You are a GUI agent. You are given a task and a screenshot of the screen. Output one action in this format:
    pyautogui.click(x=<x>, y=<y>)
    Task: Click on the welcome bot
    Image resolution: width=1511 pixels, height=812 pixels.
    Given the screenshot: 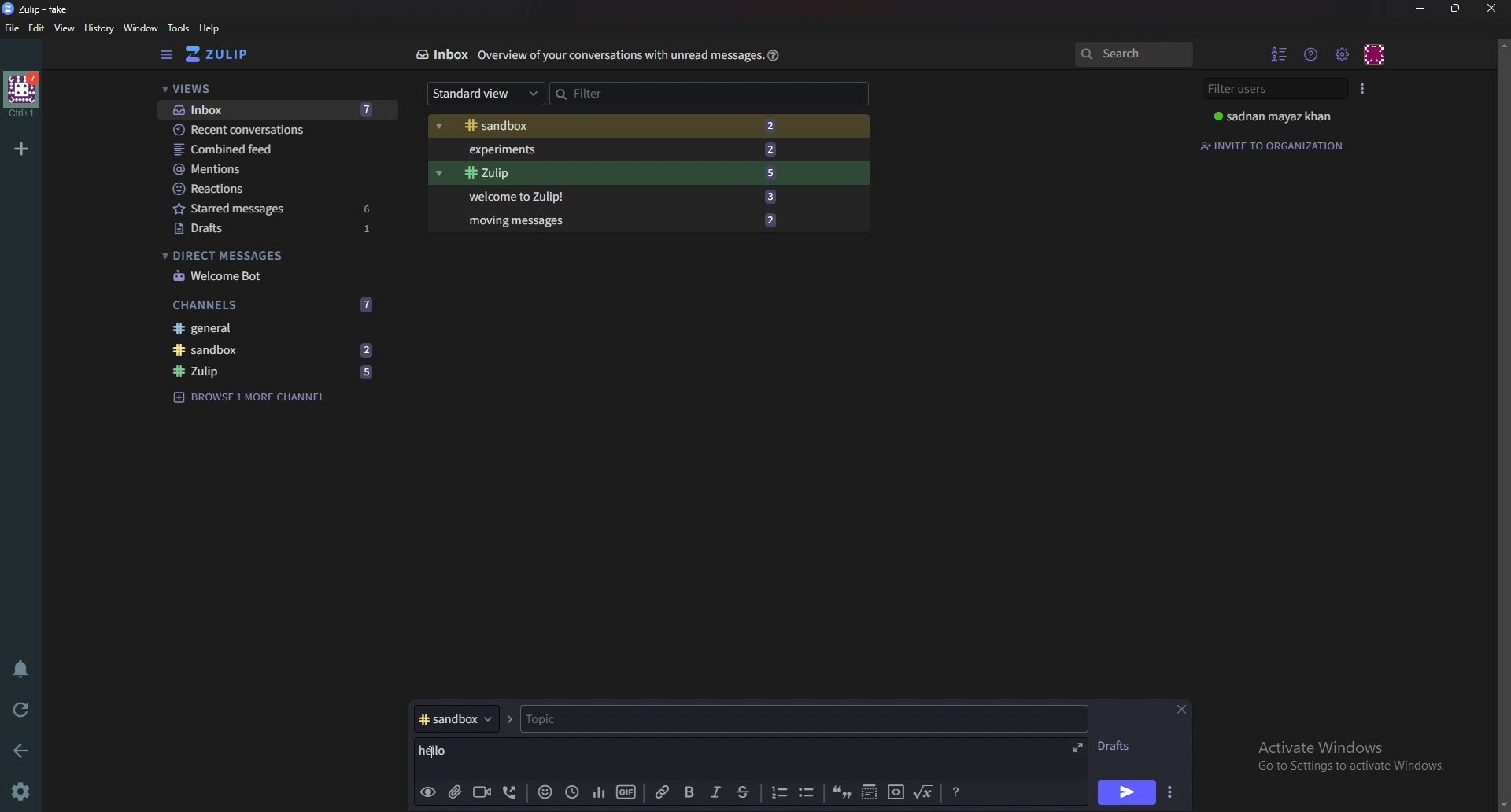 What is the action you would take?
    pyautogui.click(x=273, y=275)
    